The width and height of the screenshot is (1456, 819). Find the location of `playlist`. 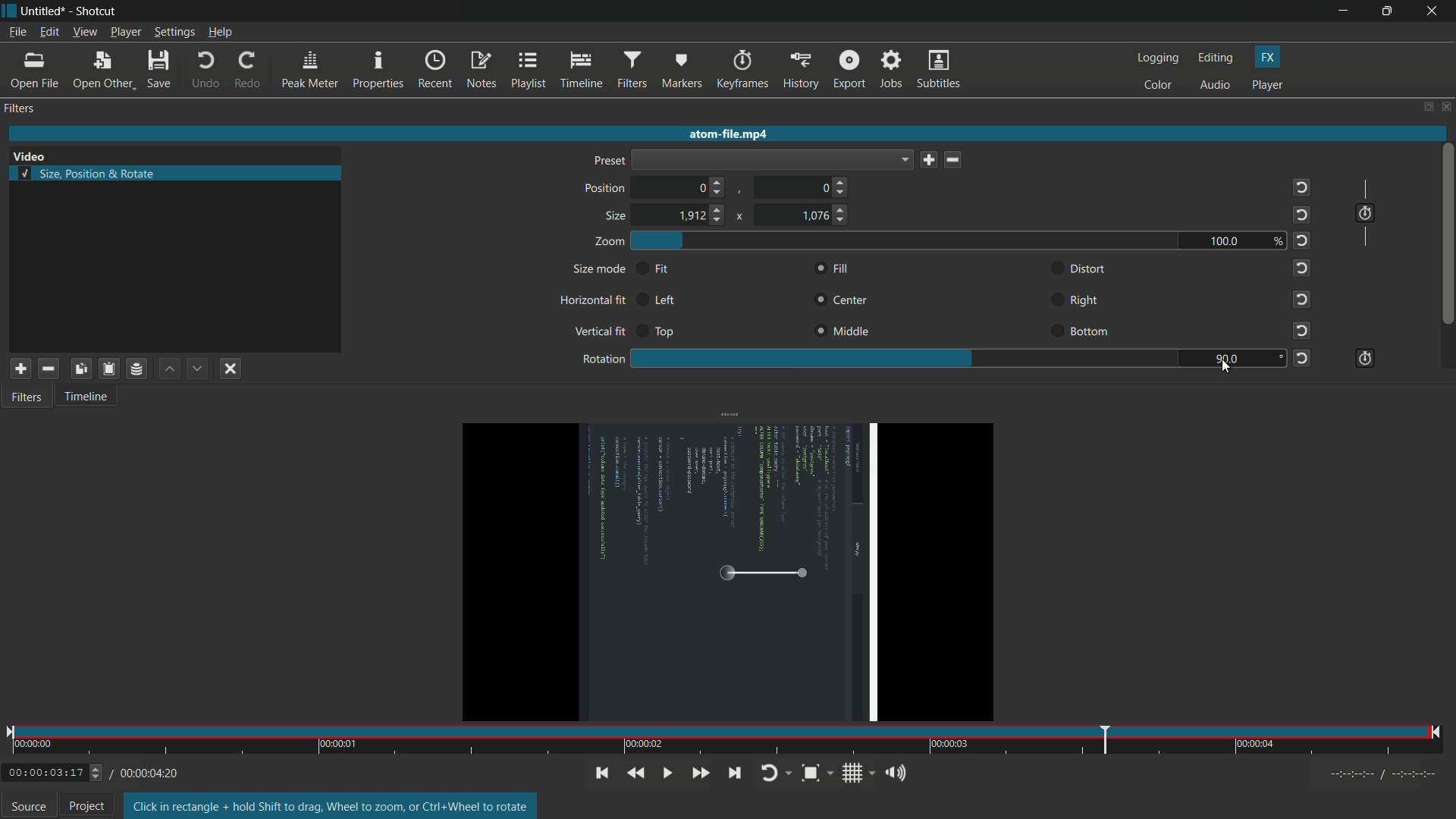

playlist is located at coordinates (529, 71).